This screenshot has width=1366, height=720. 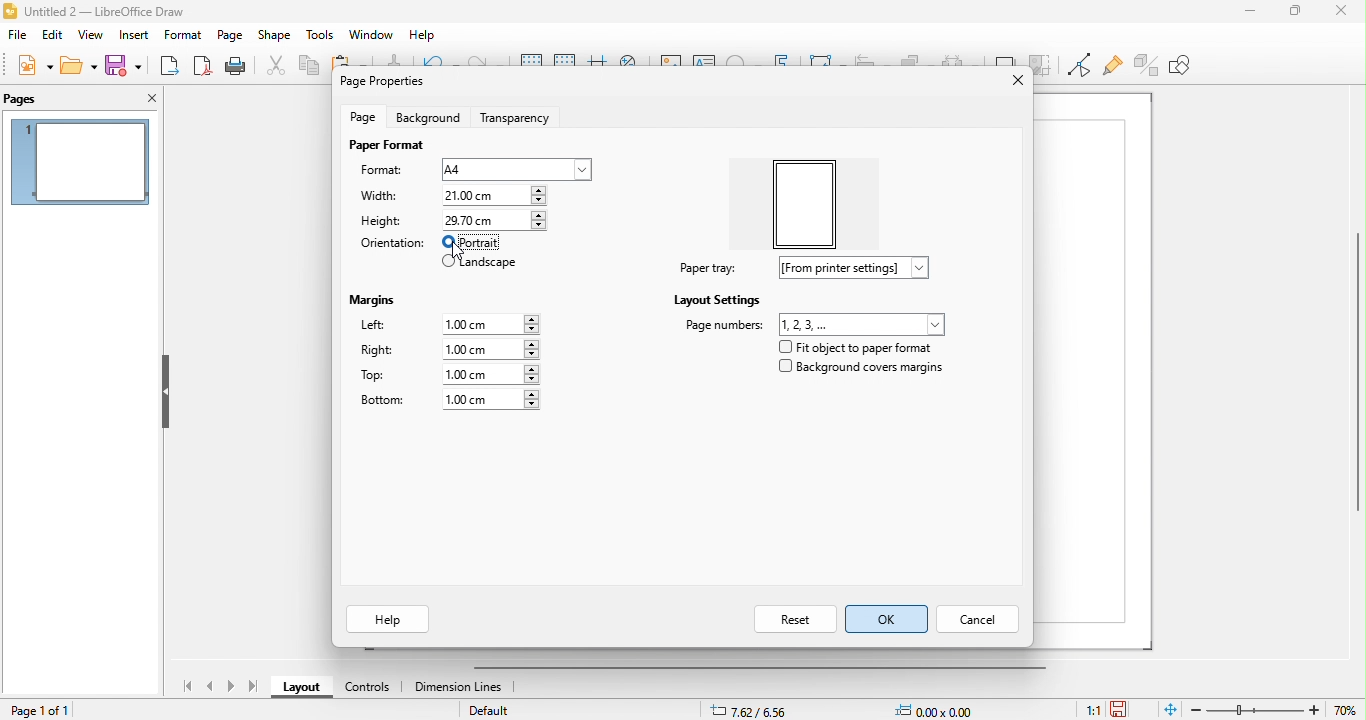 I want to click on help, so click(x=424, y=36).